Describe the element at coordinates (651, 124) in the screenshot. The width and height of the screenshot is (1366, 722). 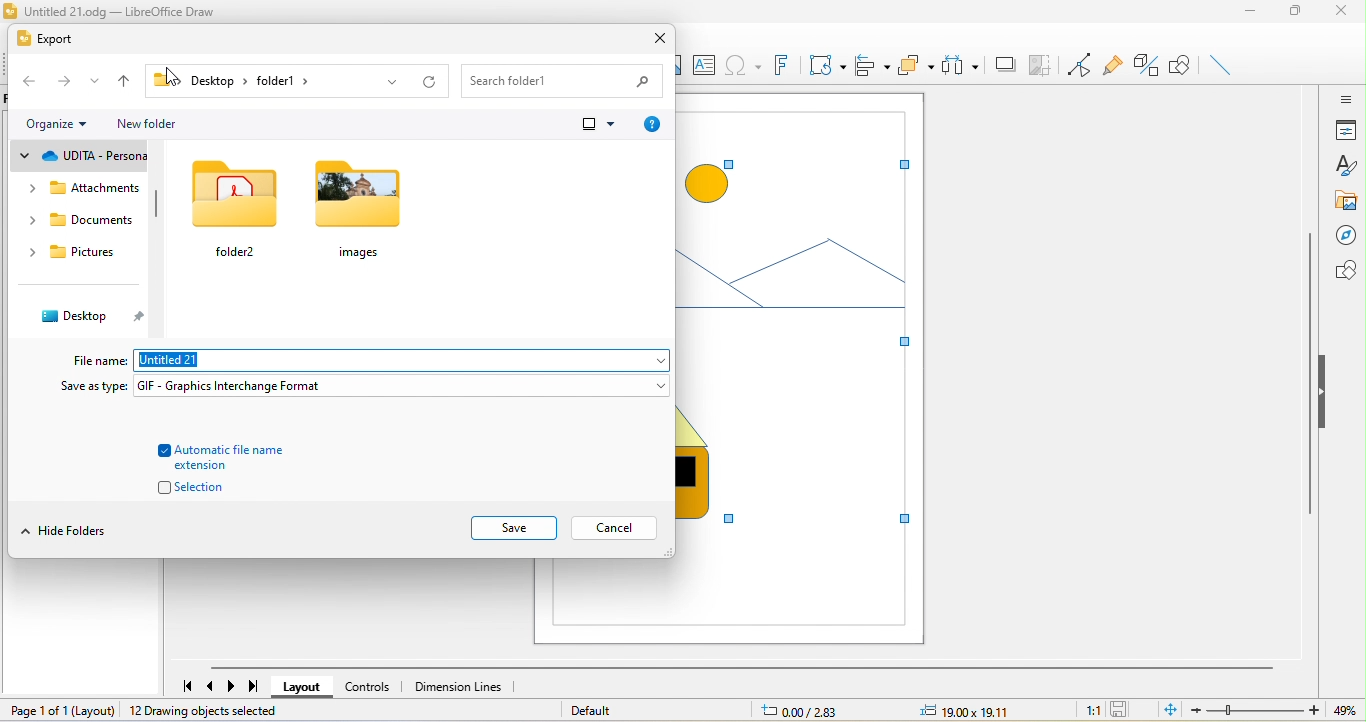
I see `help` at that location.